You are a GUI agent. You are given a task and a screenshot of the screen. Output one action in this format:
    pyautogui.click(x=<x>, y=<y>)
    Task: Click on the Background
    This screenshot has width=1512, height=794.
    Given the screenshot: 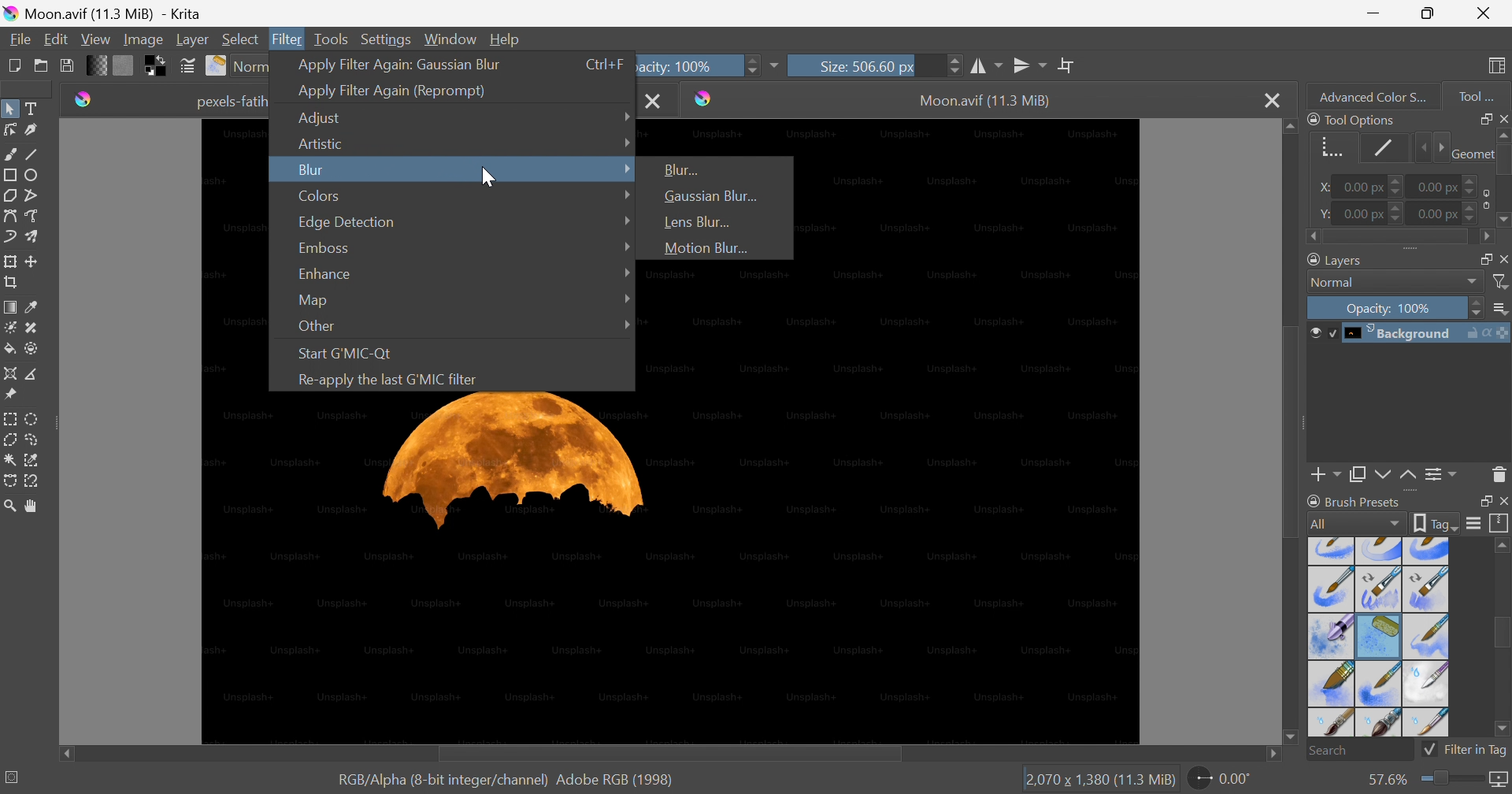 What is the action you would take?
    pyautogui.click(x=1408, y=334)
    